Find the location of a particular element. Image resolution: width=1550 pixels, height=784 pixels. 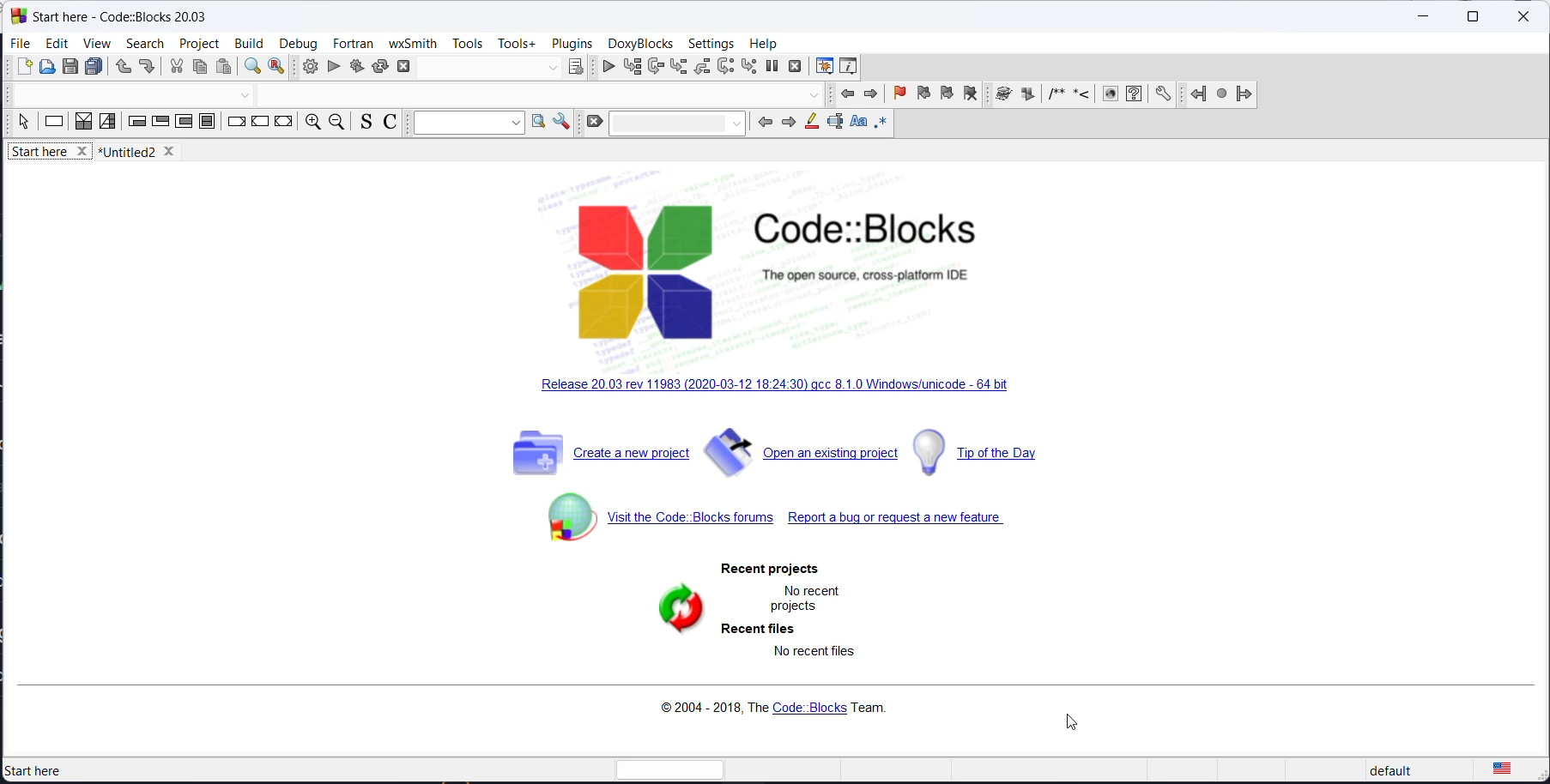

instruction is located at coordinates (54, 124).